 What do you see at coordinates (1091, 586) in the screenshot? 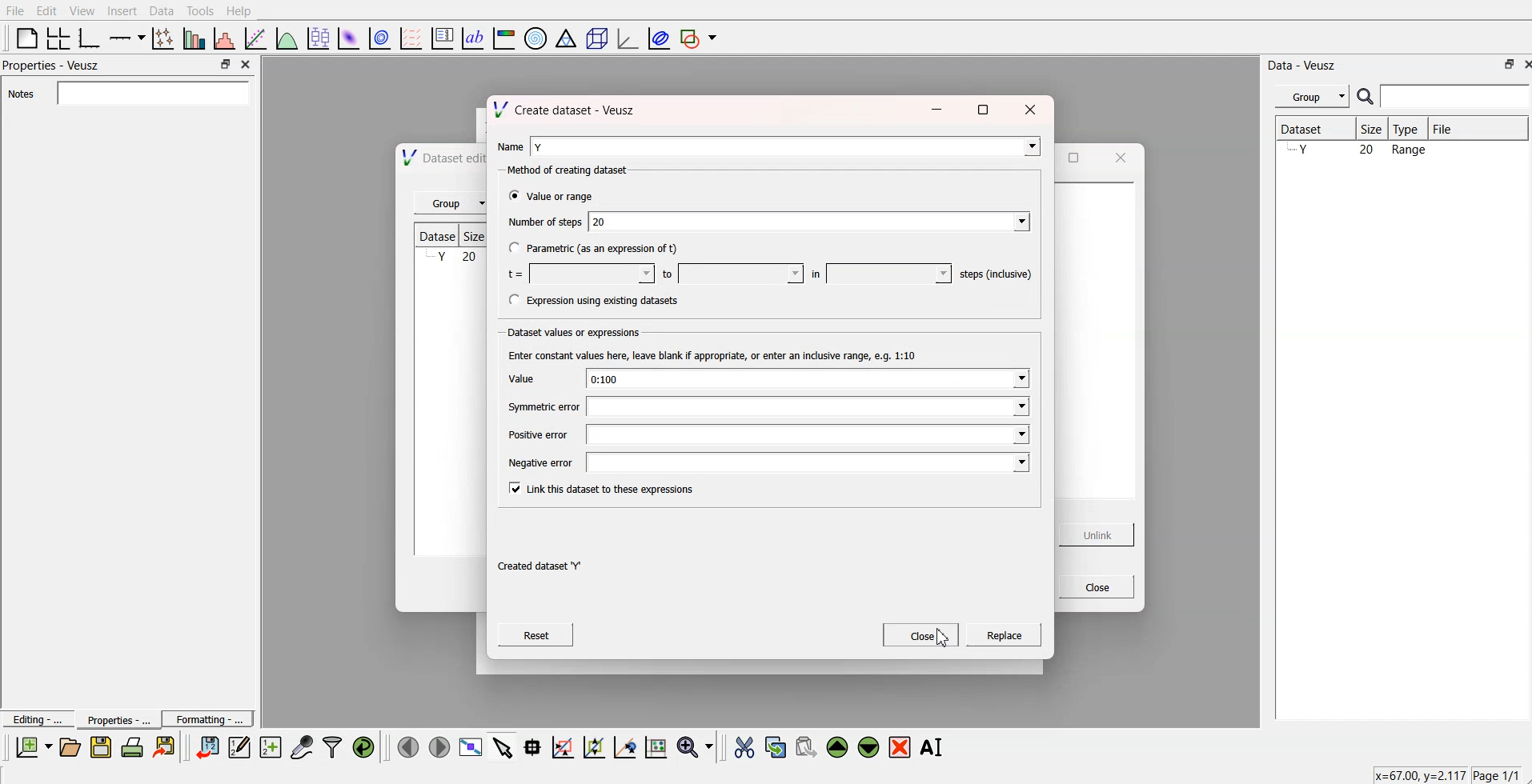
I see `Close` at bounding box center [1091, 586].